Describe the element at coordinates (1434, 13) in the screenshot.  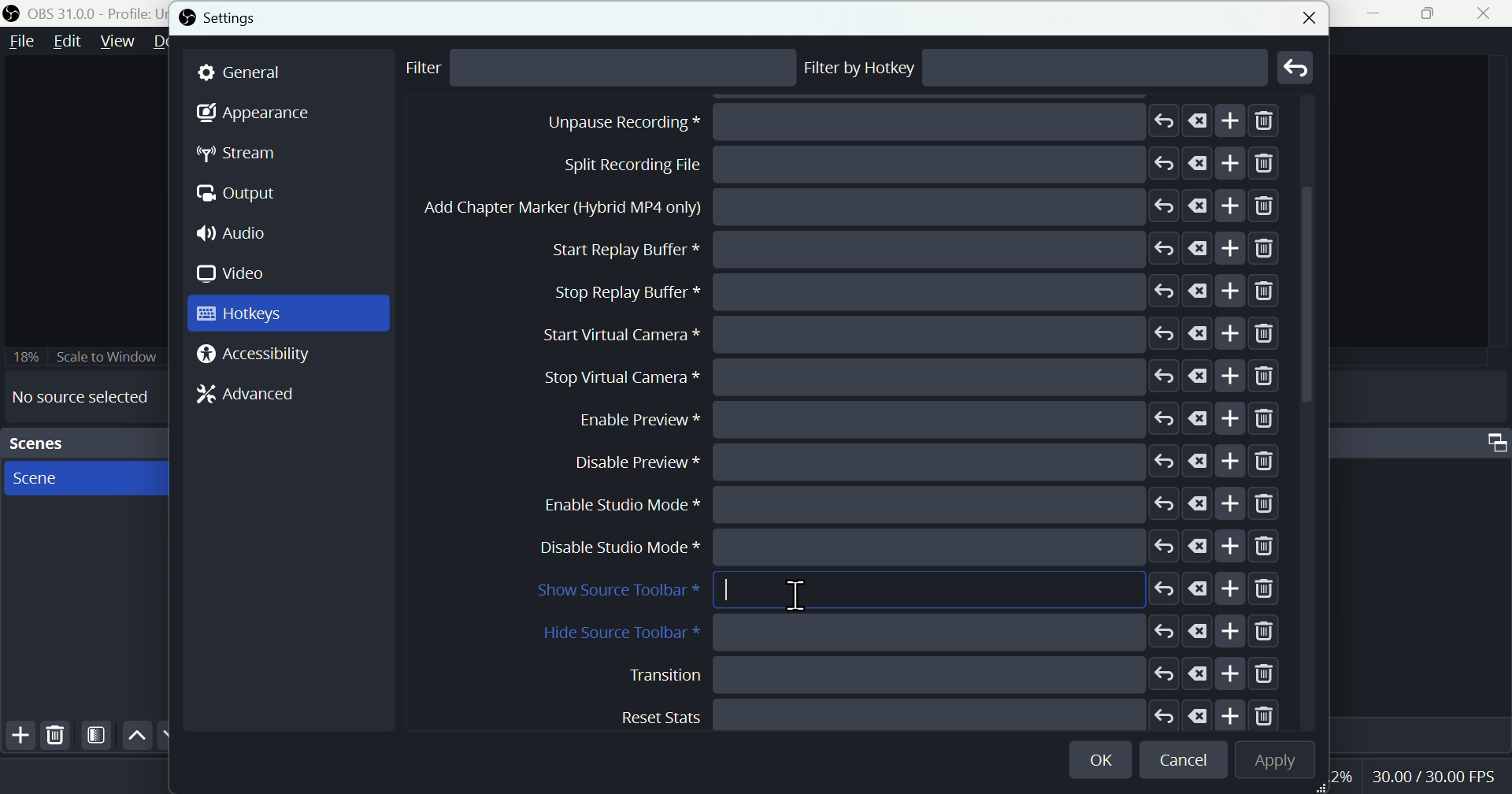
I see `Maximise` at that location.